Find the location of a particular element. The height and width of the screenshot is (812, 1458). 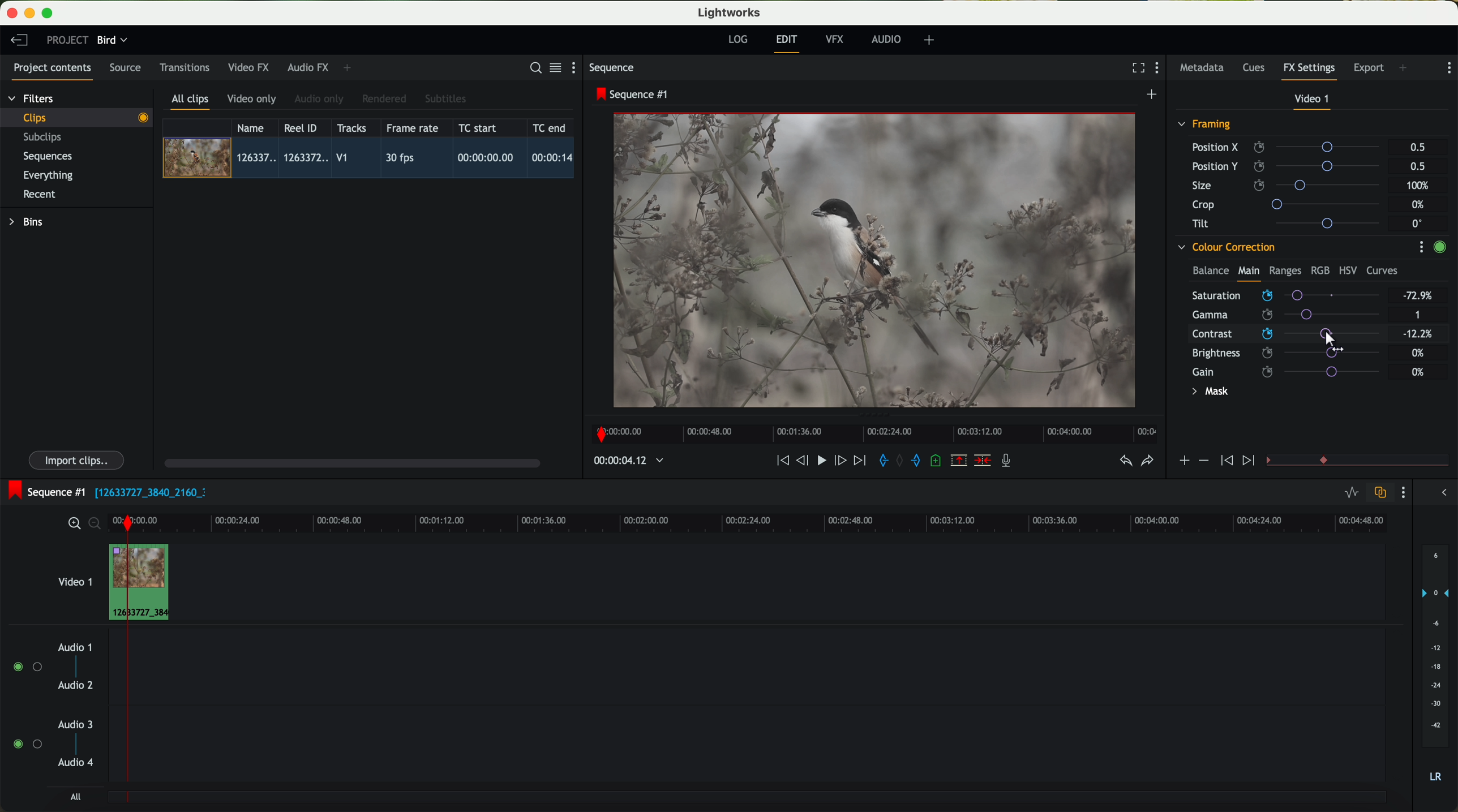

framing is located at coordinates (1205, 126).